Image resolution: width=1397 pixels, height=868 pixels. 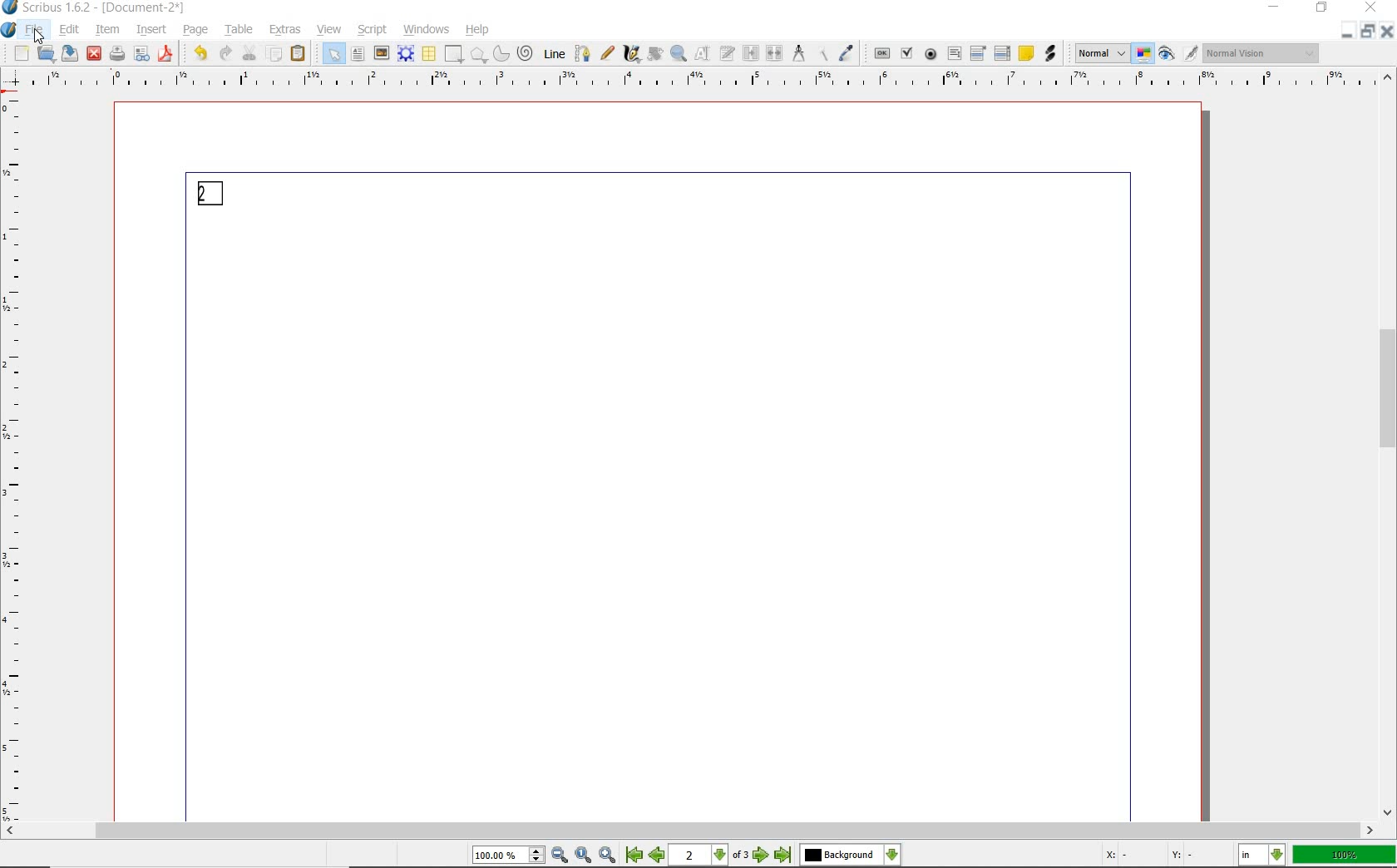 What do you see at coordinates (1389, 34) in the screenshot?
I see `Close` at bounding box center [1389, 34].